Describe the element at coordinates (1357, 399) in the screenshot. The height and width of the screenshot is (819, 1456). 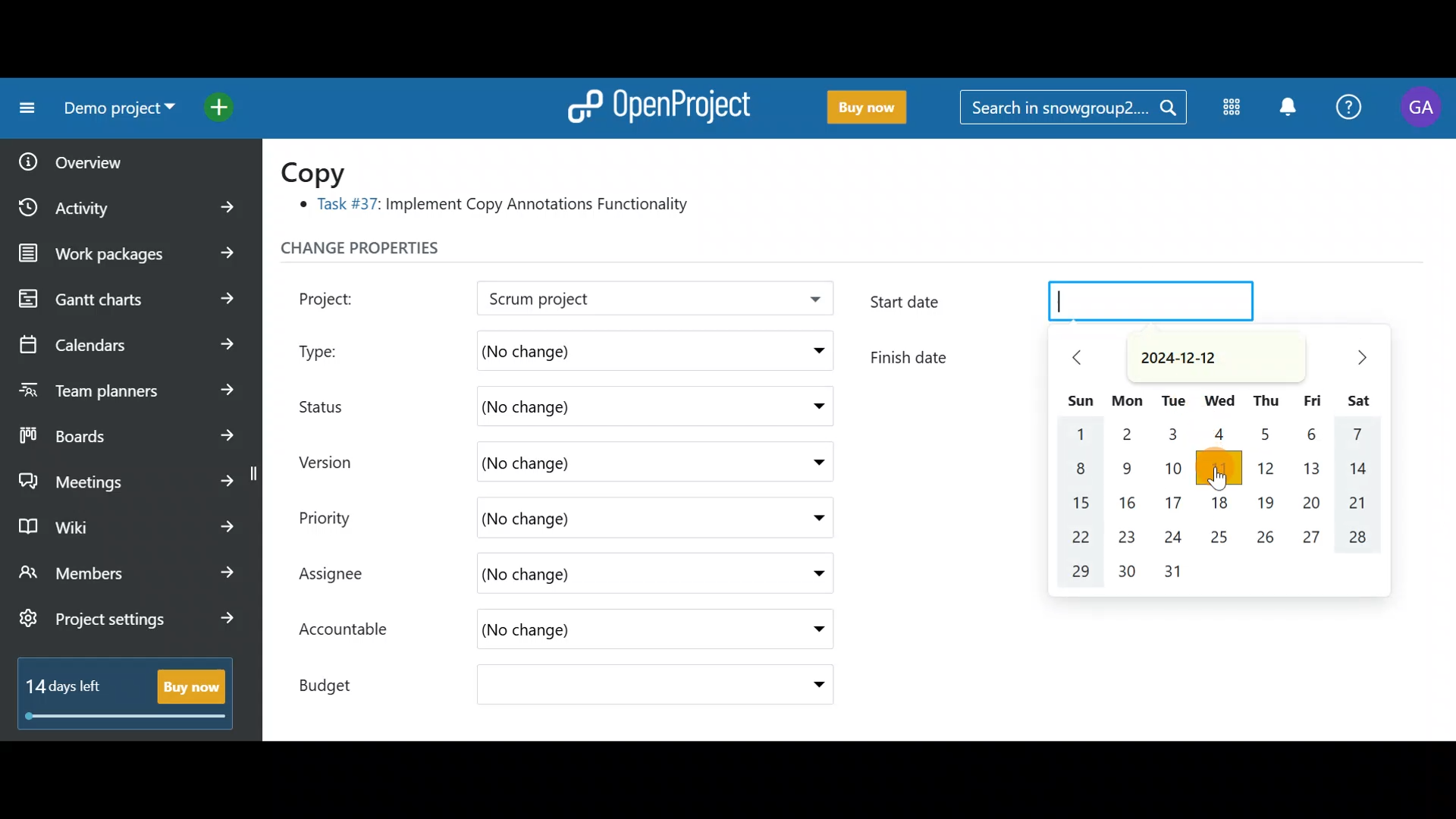
I see `Sat` at that location.